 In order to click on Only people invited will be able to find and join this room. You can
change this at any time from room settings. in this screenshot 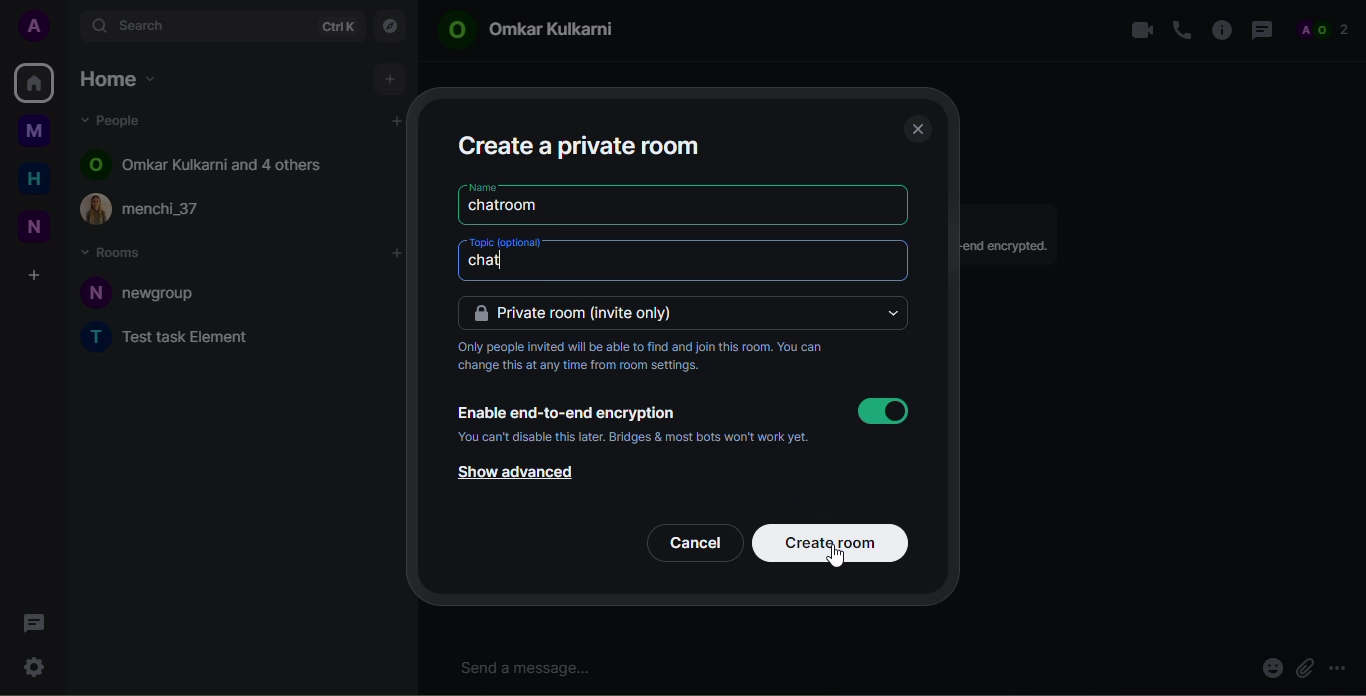, I will do `click(652, 359)`.